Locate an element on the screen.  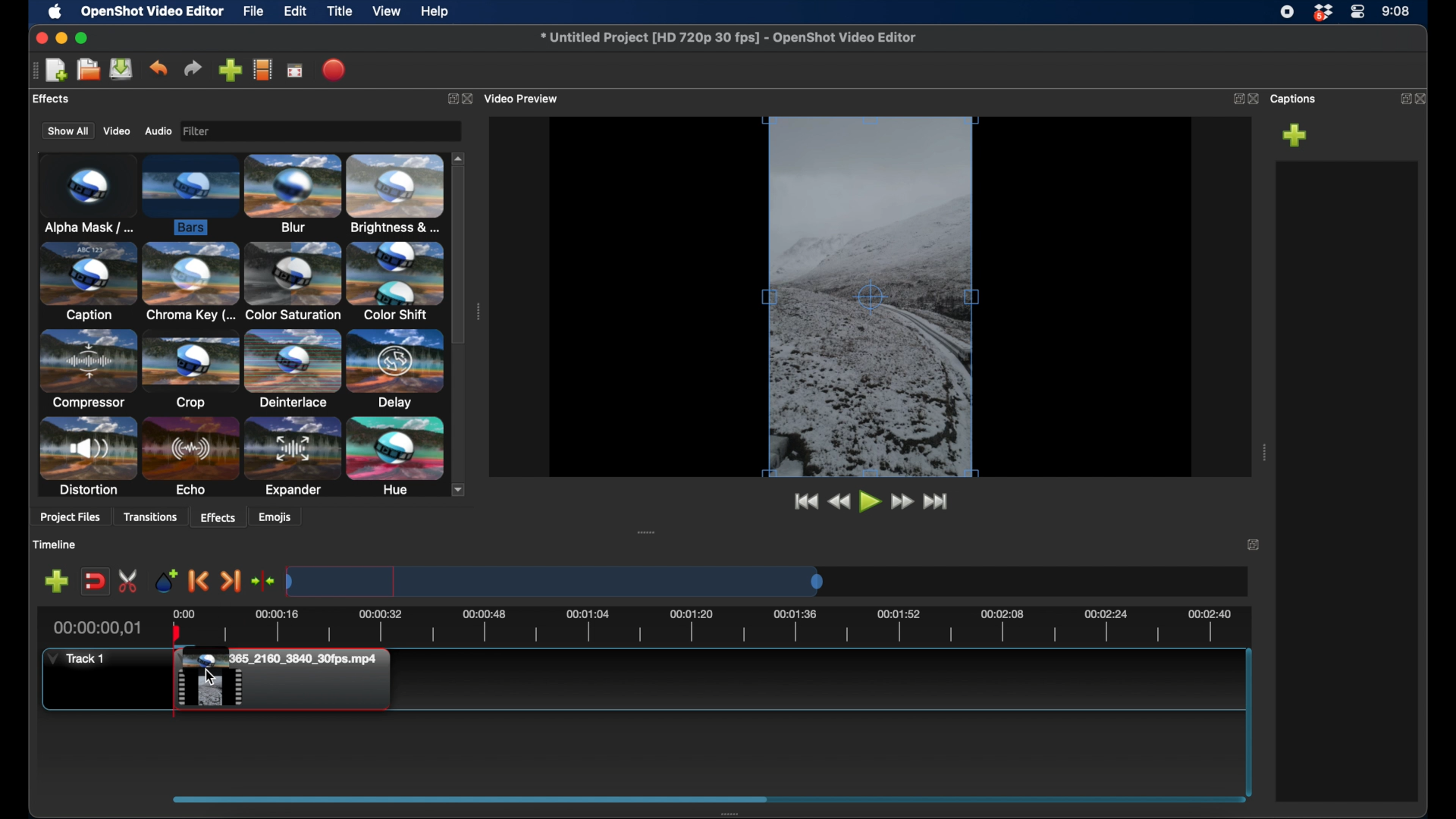
close is located at coordinates (1254, 99).